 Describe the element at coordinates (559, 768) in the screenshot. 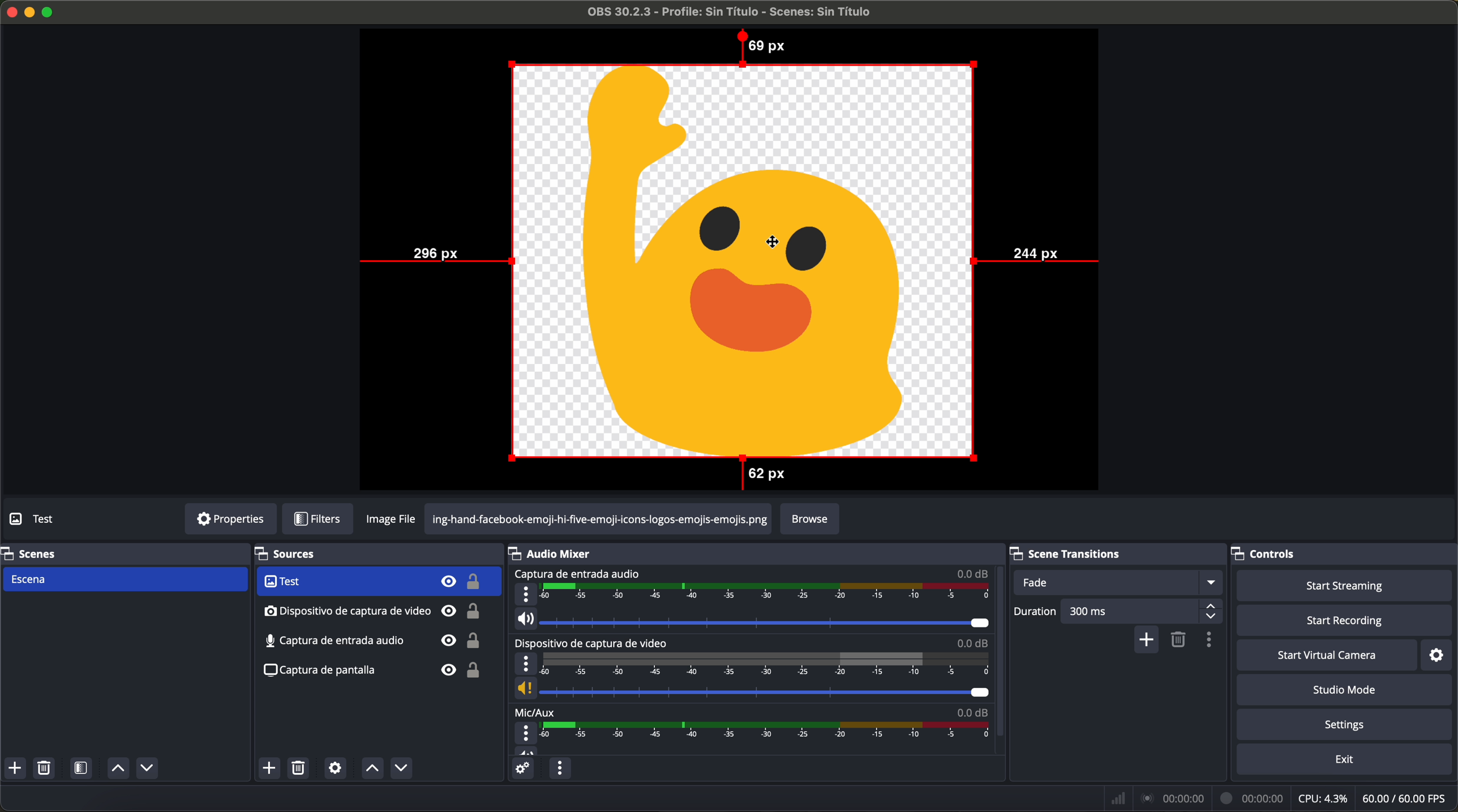

I see `audio mixer menu` at that location.